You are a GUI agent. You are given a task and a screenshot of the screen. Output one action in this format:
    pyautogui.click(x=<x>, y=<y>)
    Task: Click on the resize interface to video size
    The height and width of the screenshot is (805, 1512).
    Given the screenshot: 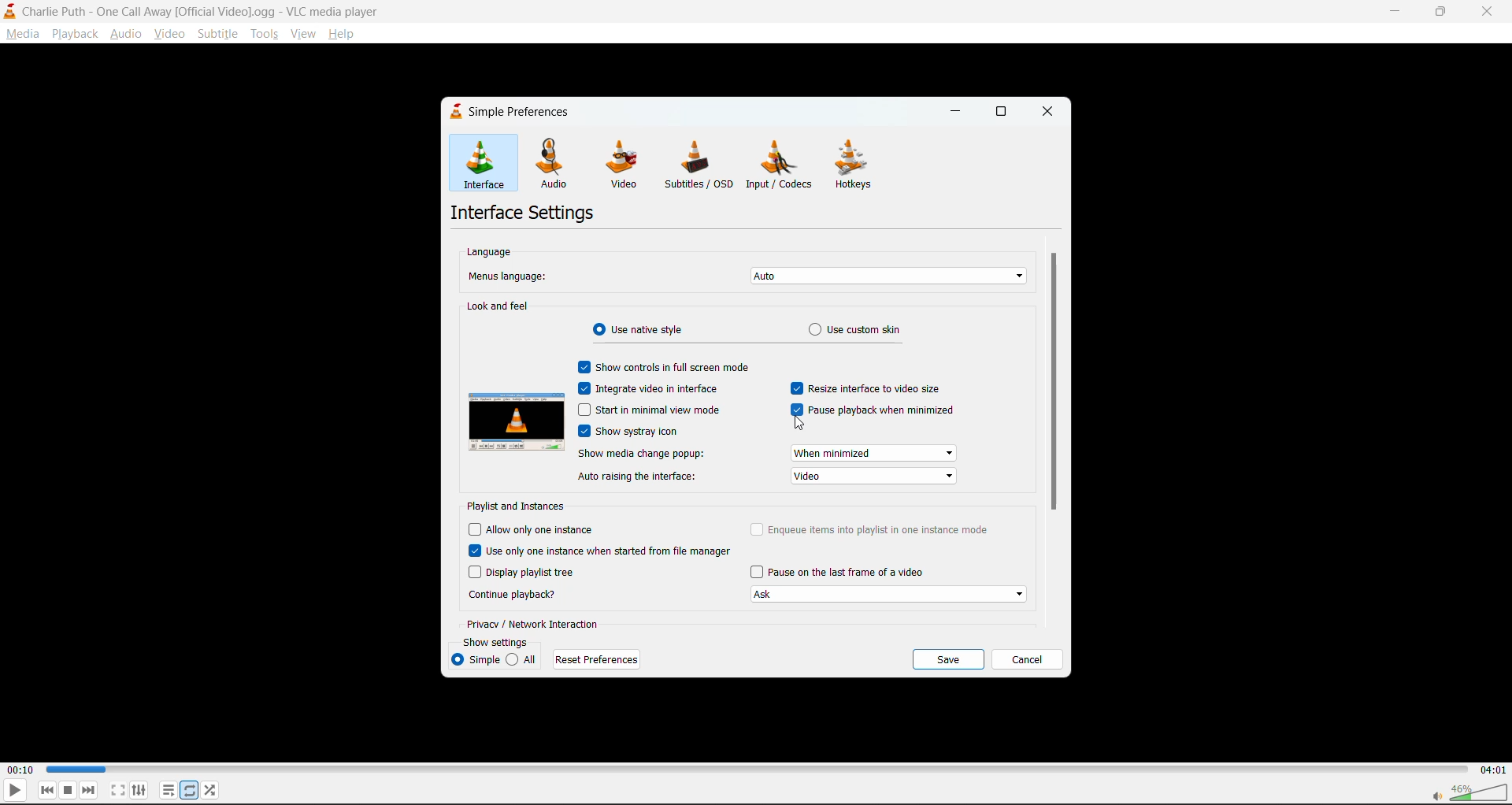 What is the action you would take?
    pyautogui.click(x=873, y=389)
    